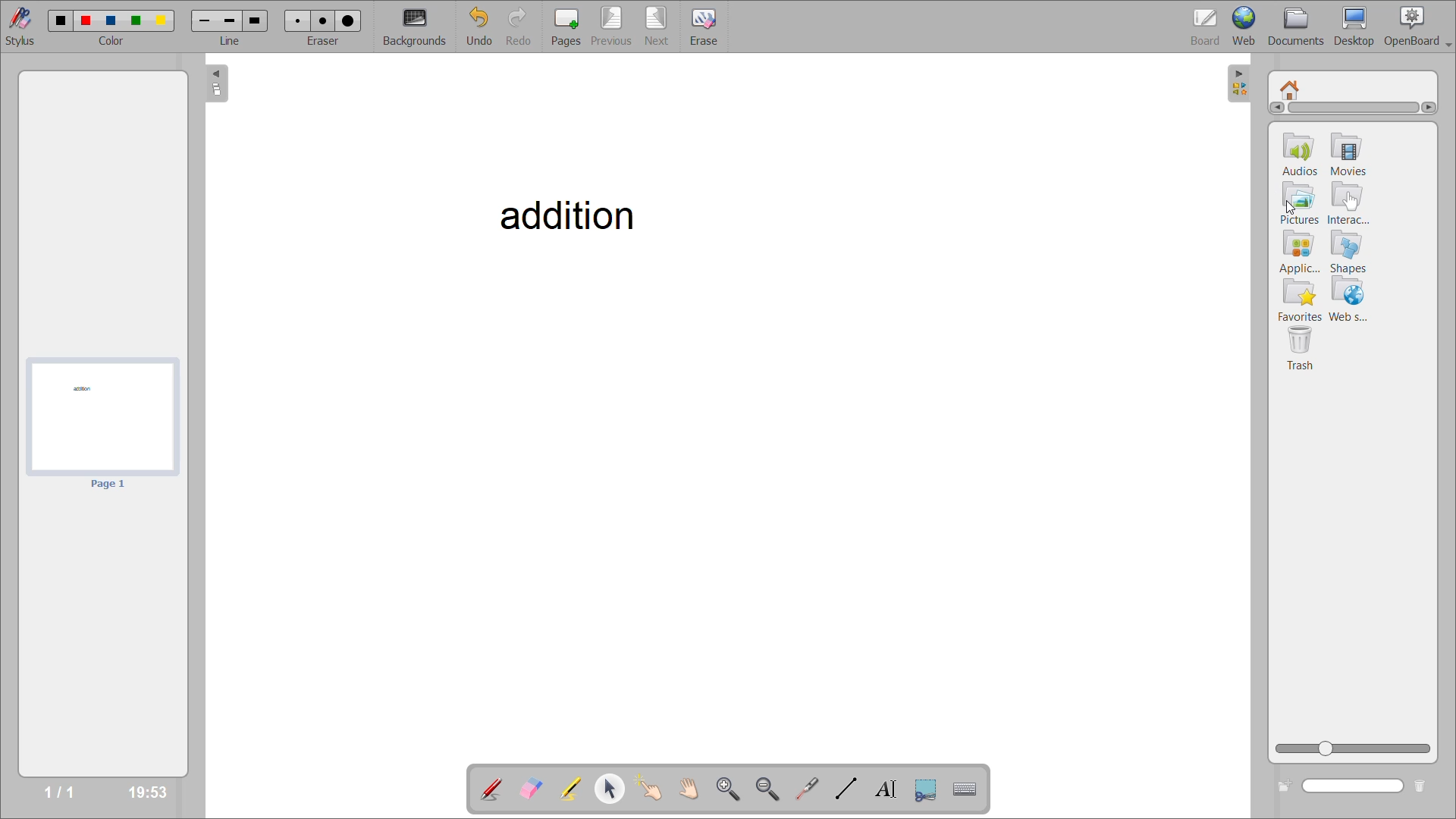 The height and width of the screenshot is (819, 1456). I want to click on eraser 3, so click(349, 20).